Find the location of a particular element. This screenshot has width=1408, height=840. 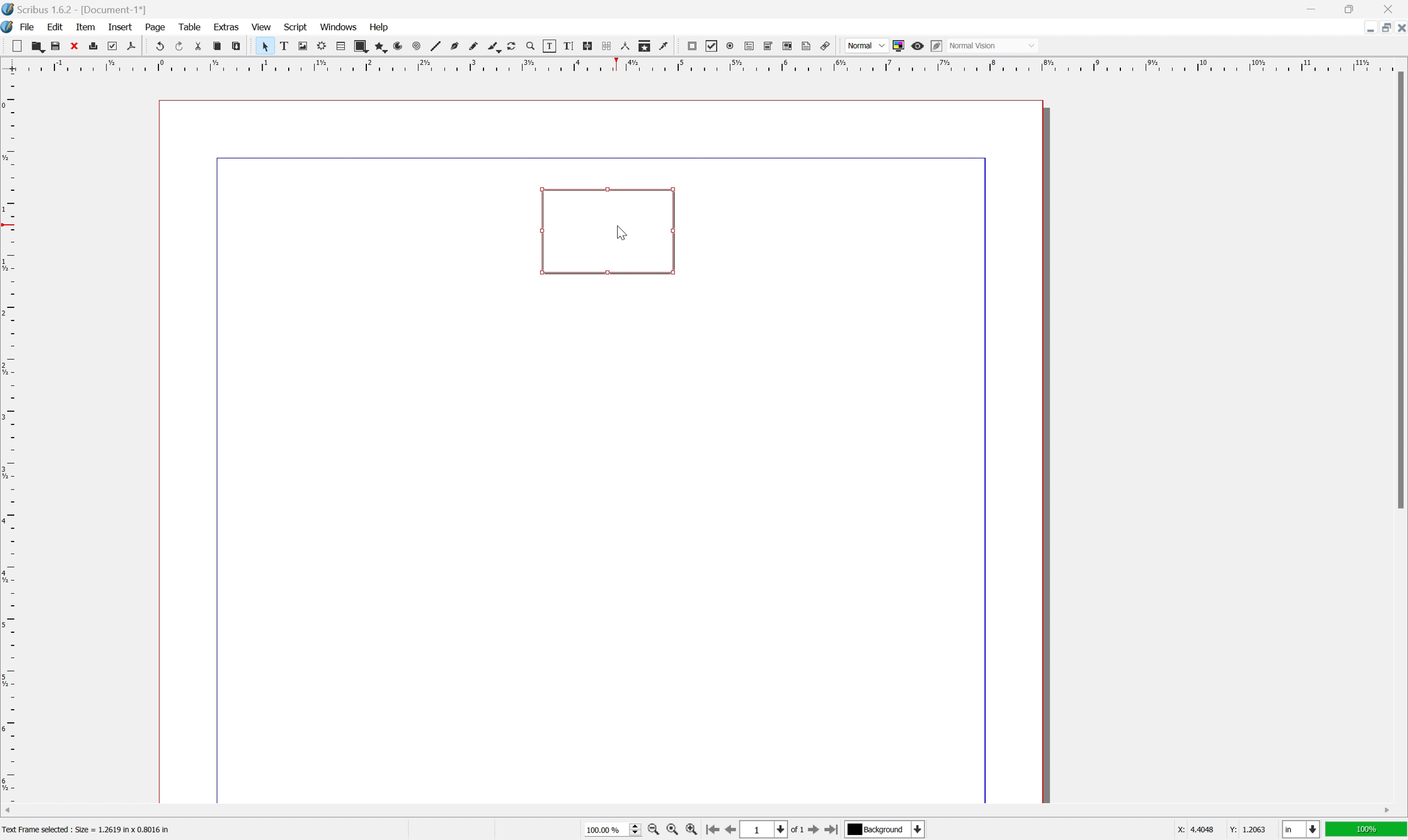

spiral is located at coordinates (417, 46).